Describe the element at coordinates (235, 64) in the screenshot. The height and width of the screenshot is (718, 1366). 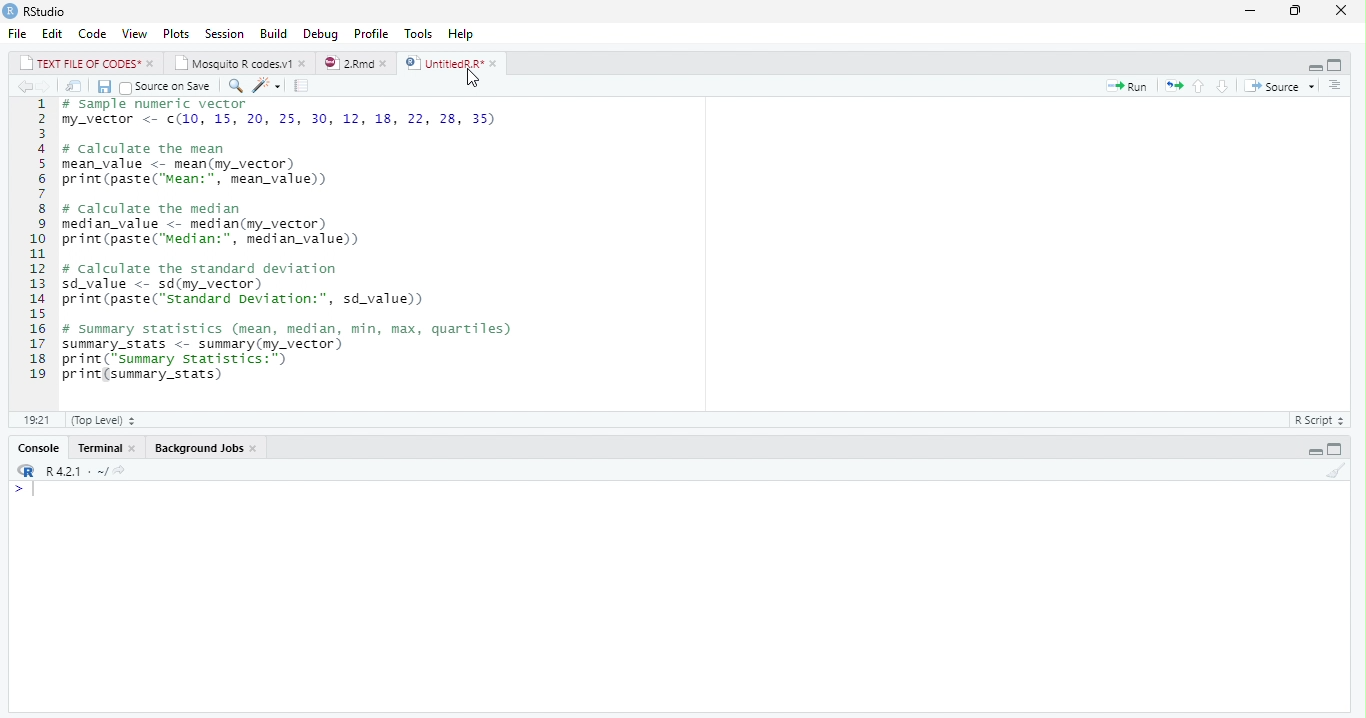
I see `Mosquito R codes.v1` at that location.